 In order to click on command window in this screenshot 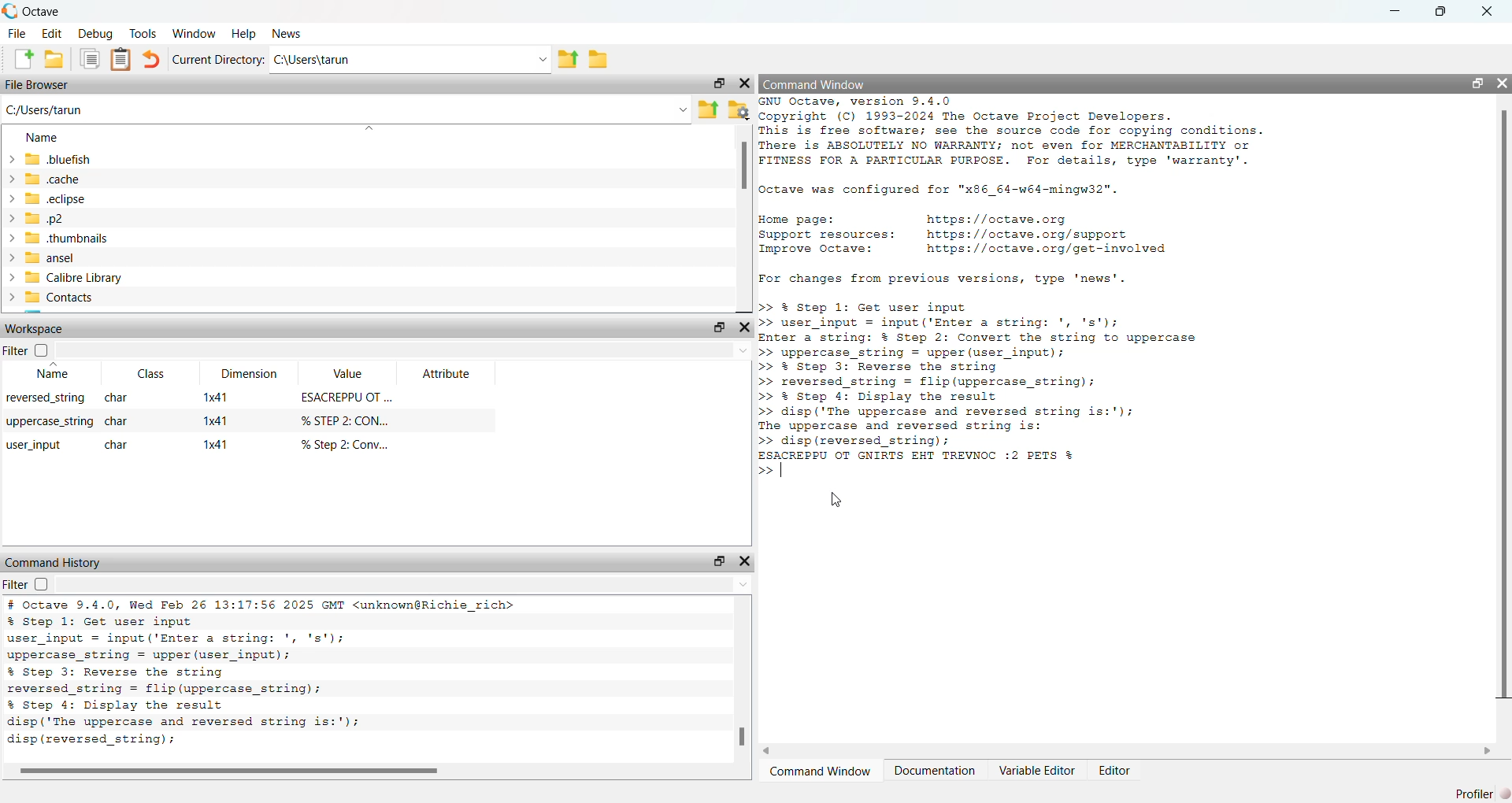, I will do `click(817, 772)`.